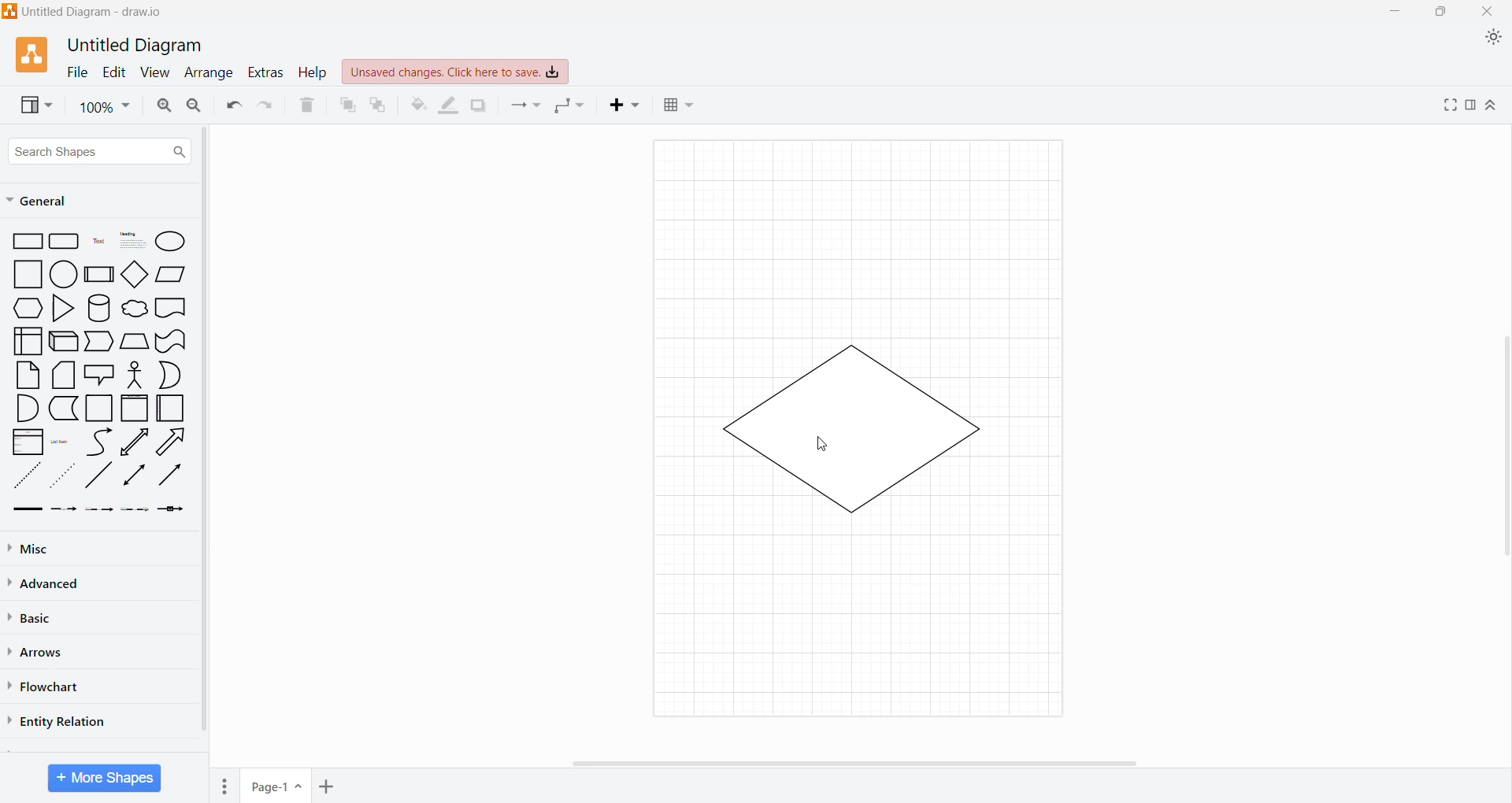 The height and width of the screenshot is (803, 1512). What do you see at coordinates (207, 74) in the screenshot?
I see `Arrange` at bounding box center [207, 74].